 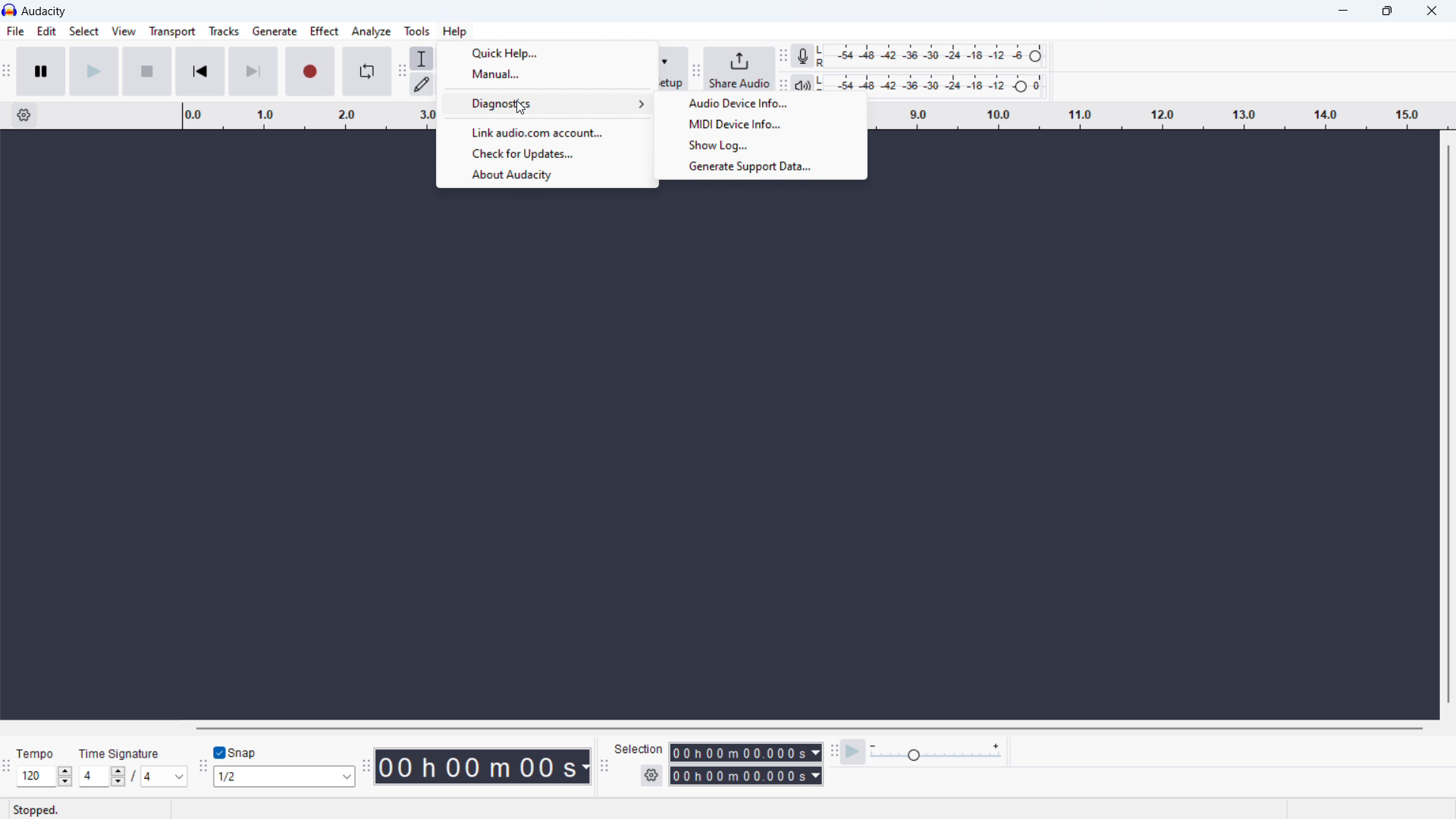 What do you see at coordinates (801, 56) in the screenshot?
I see `recording meter` at bounding box center [801, 56].